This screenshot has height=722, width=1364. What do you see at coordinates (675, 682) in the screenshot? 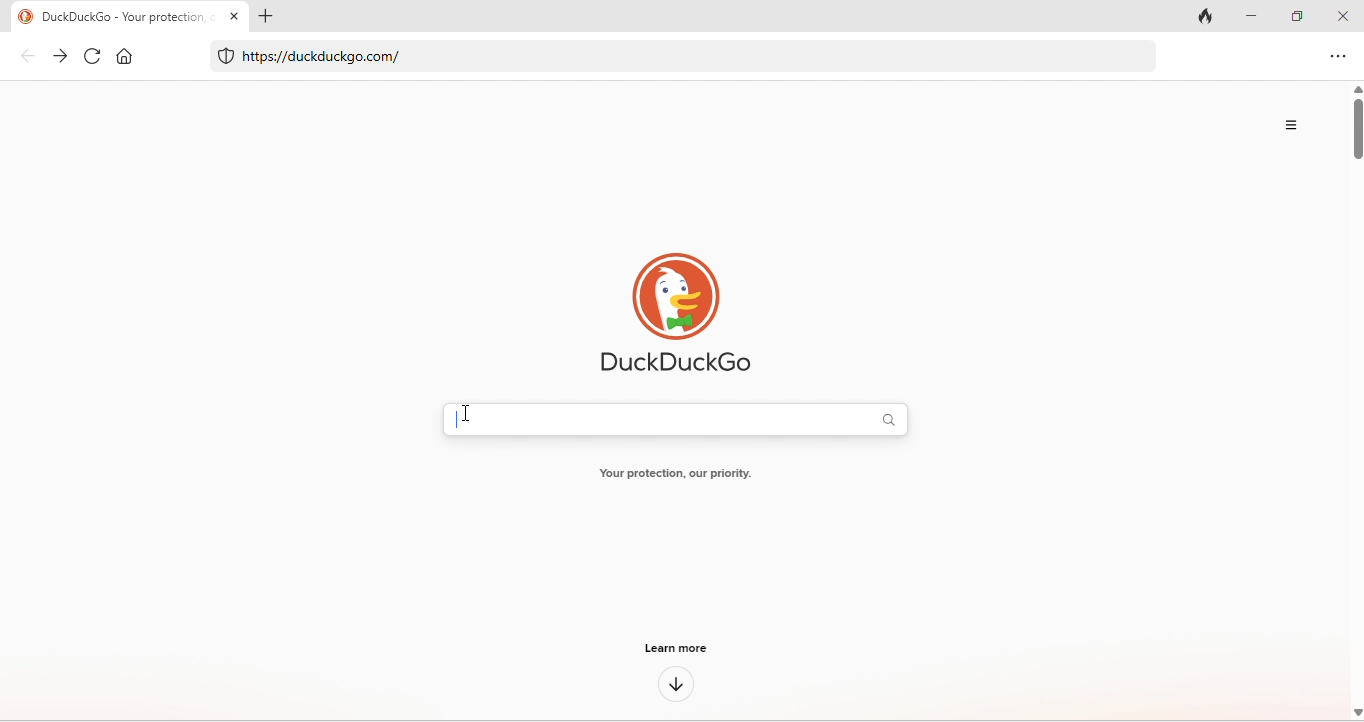
I see `down arrow` at bounding box center [675, 682].